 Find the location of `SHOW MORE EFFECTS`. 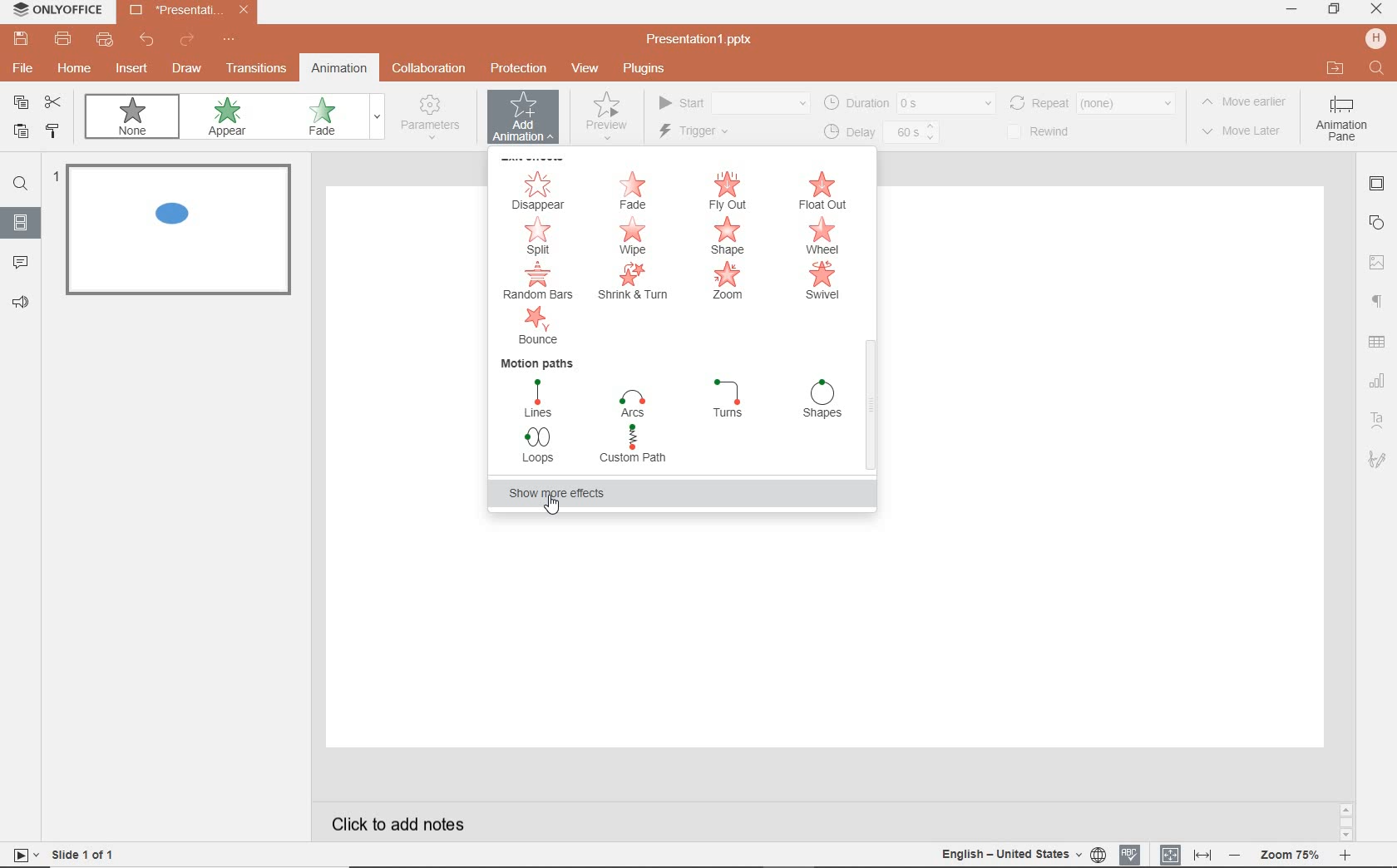

SHOW MORE EFFECTS is located at coordinates (567, 494).